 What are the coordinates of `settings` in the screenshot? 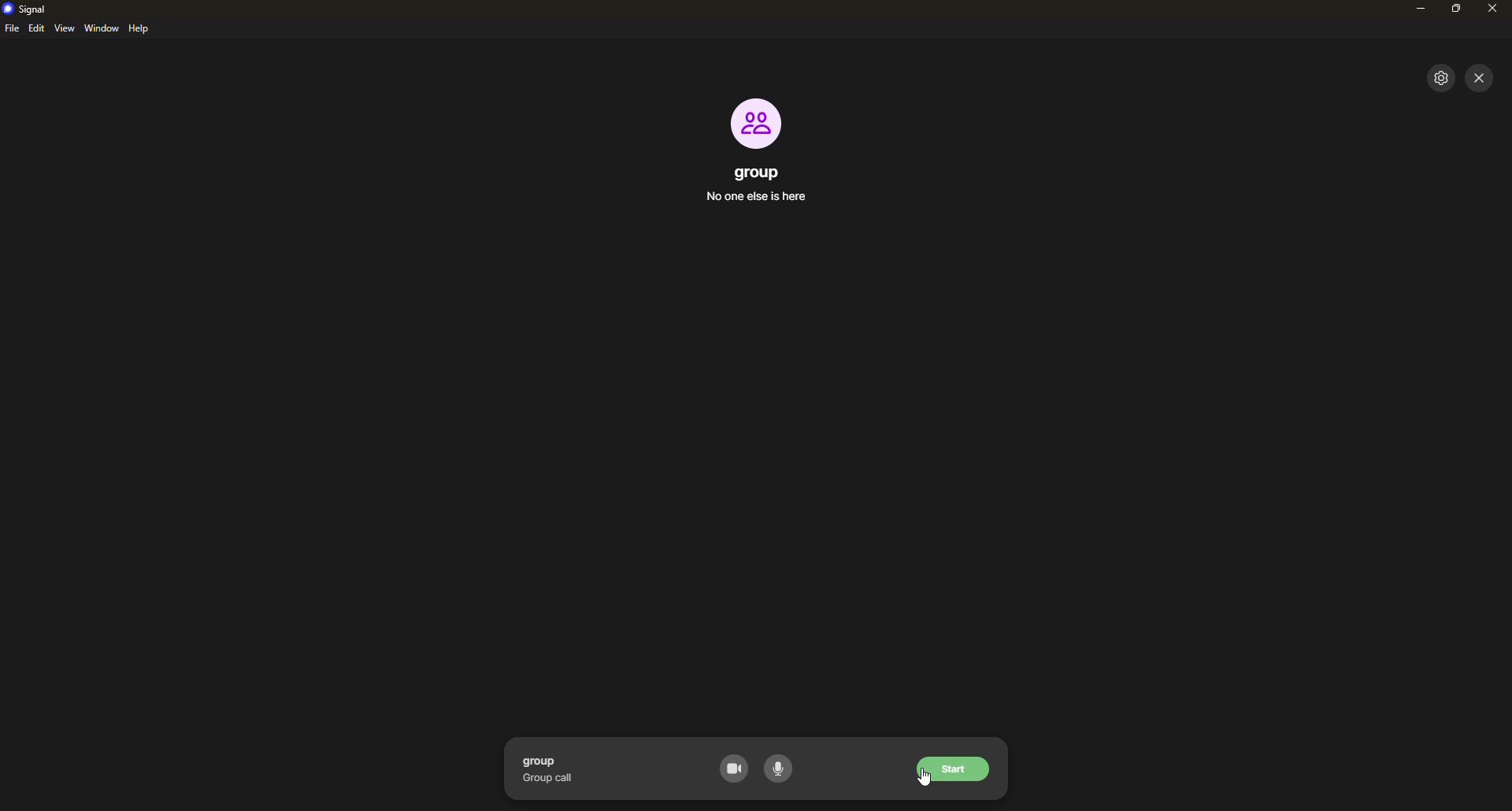 It's located at (1439, 78).